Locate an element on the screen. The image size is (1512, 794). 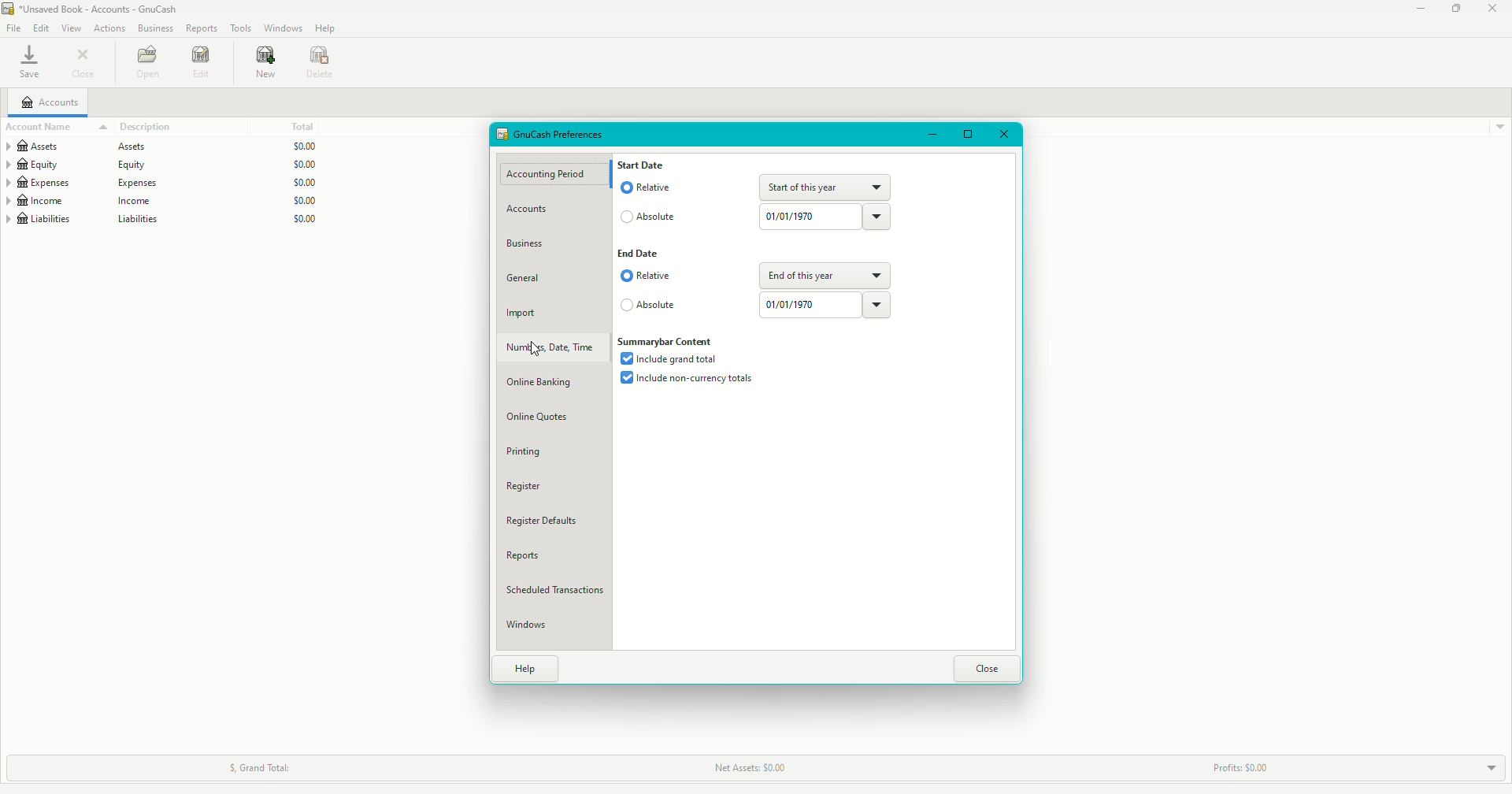
Open is located at coordinates (149, 62).